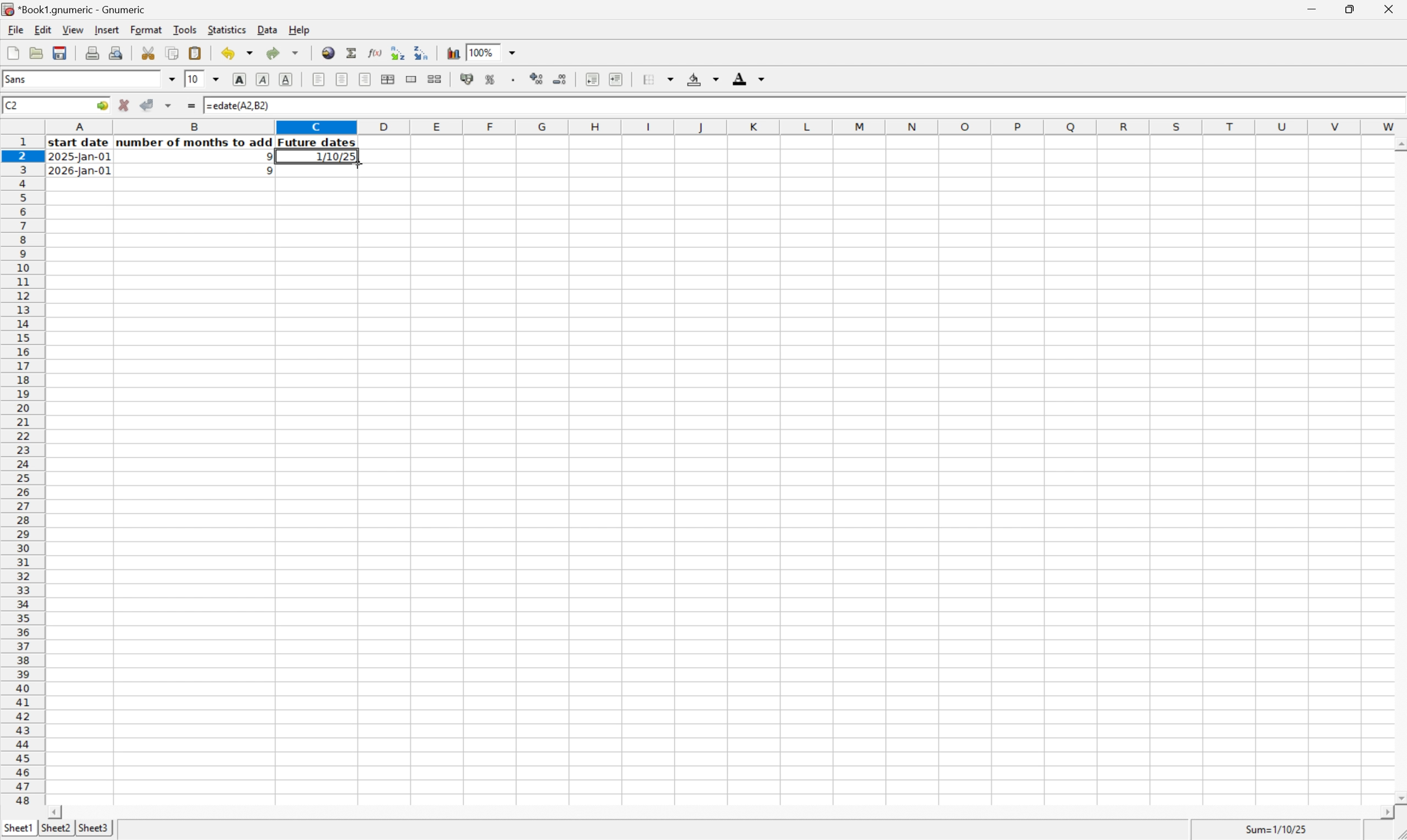 The height and width of the screenshot is (840, 1407). What do you see at coordinates (318, 79) in the screenshot?
I see `Align Left` at bounding box center [318, 79].